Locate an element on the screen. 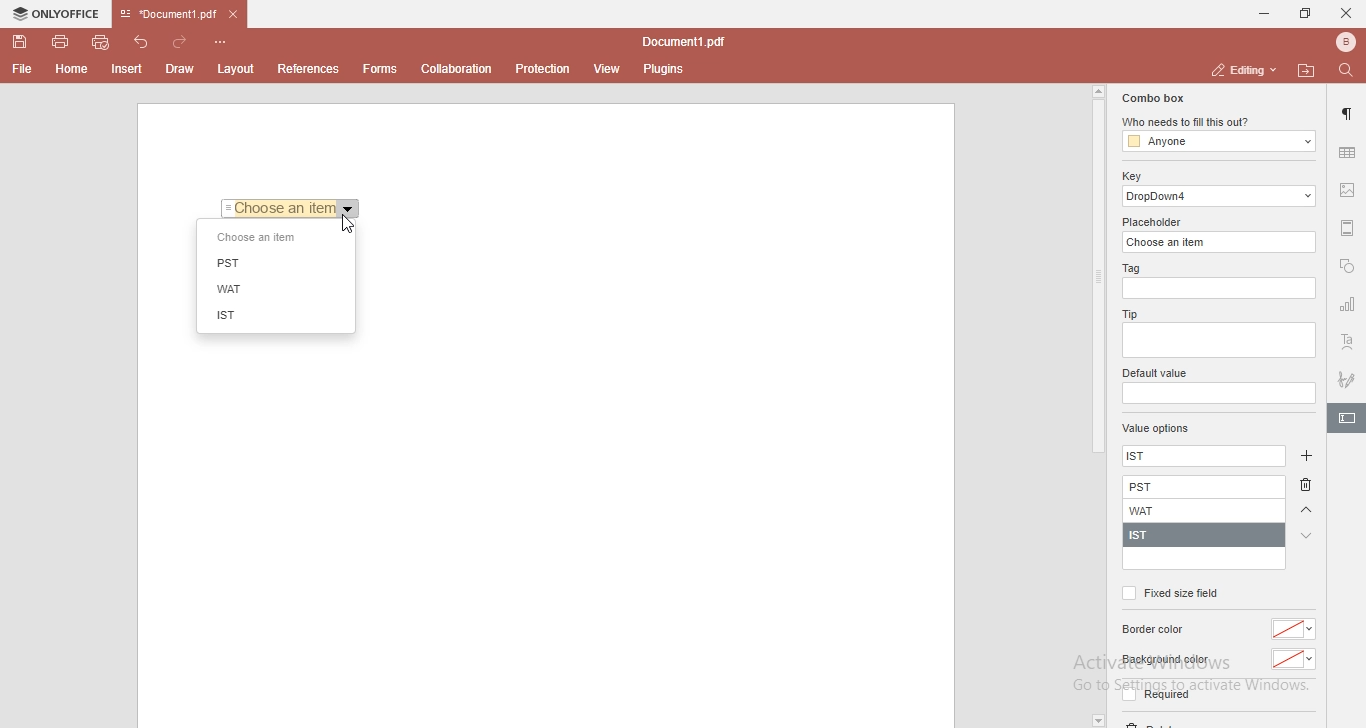  view is located at coordinates (608, 69).